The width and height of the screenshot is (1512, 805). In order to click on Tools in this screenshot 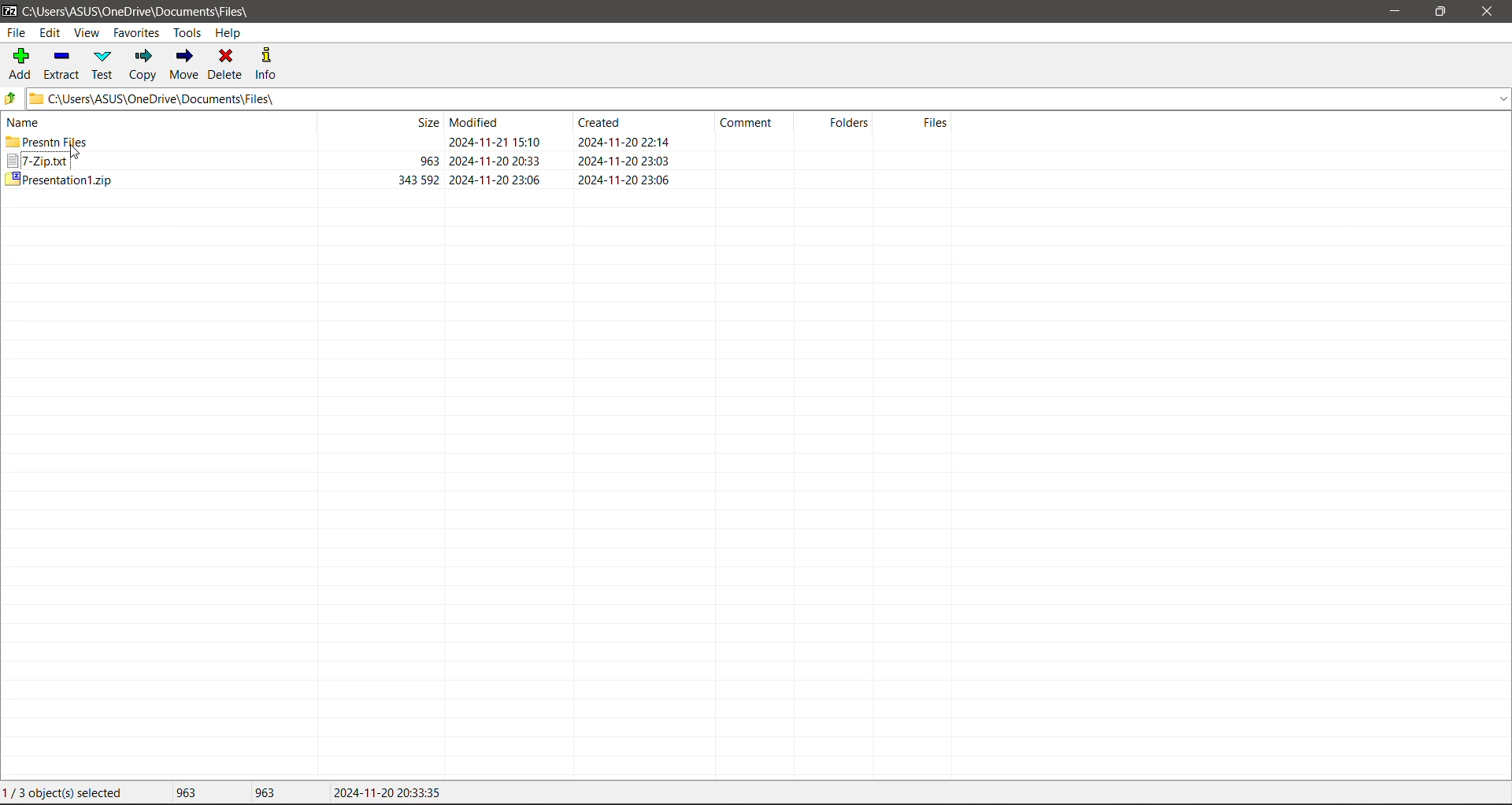, I will do `click(186, 33)`.